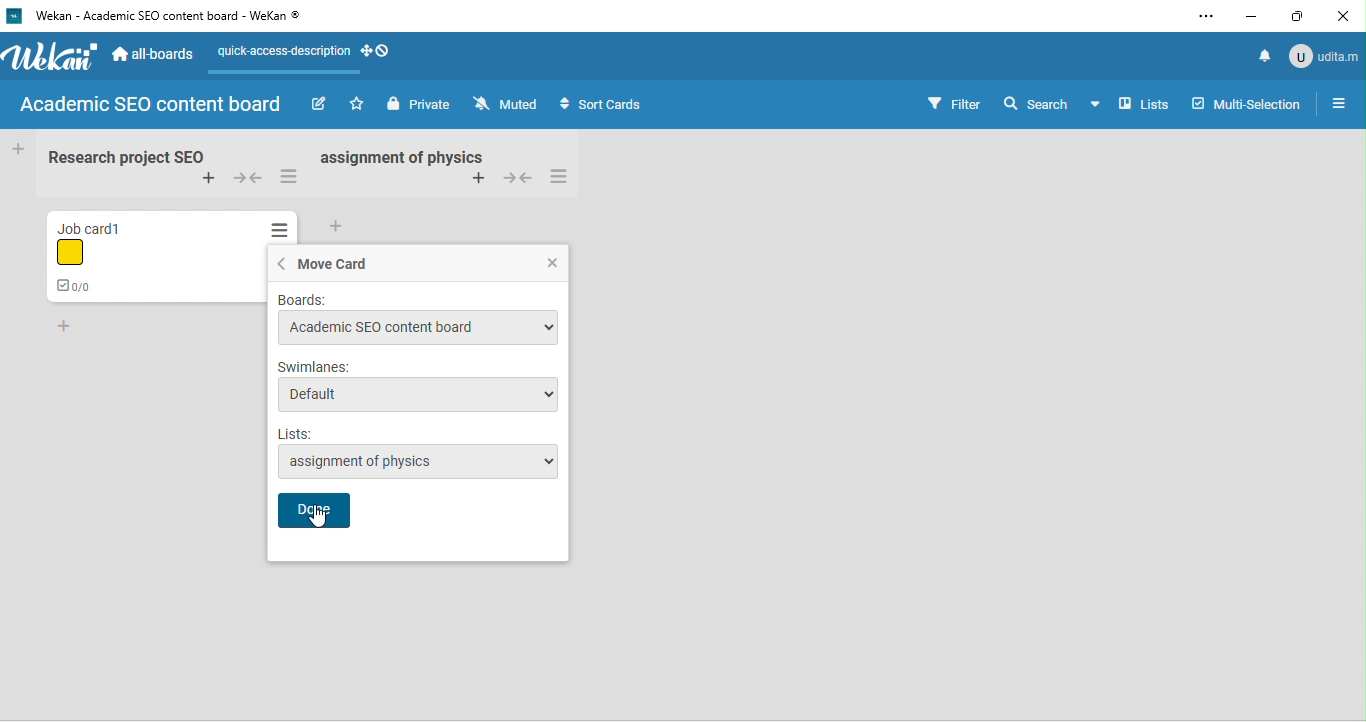 The width and height of the screenshot is (1366, 722). What do you see at coordinates (289, 176) in the screenshot?
I see `list actions` at bounding box center [289, 176].